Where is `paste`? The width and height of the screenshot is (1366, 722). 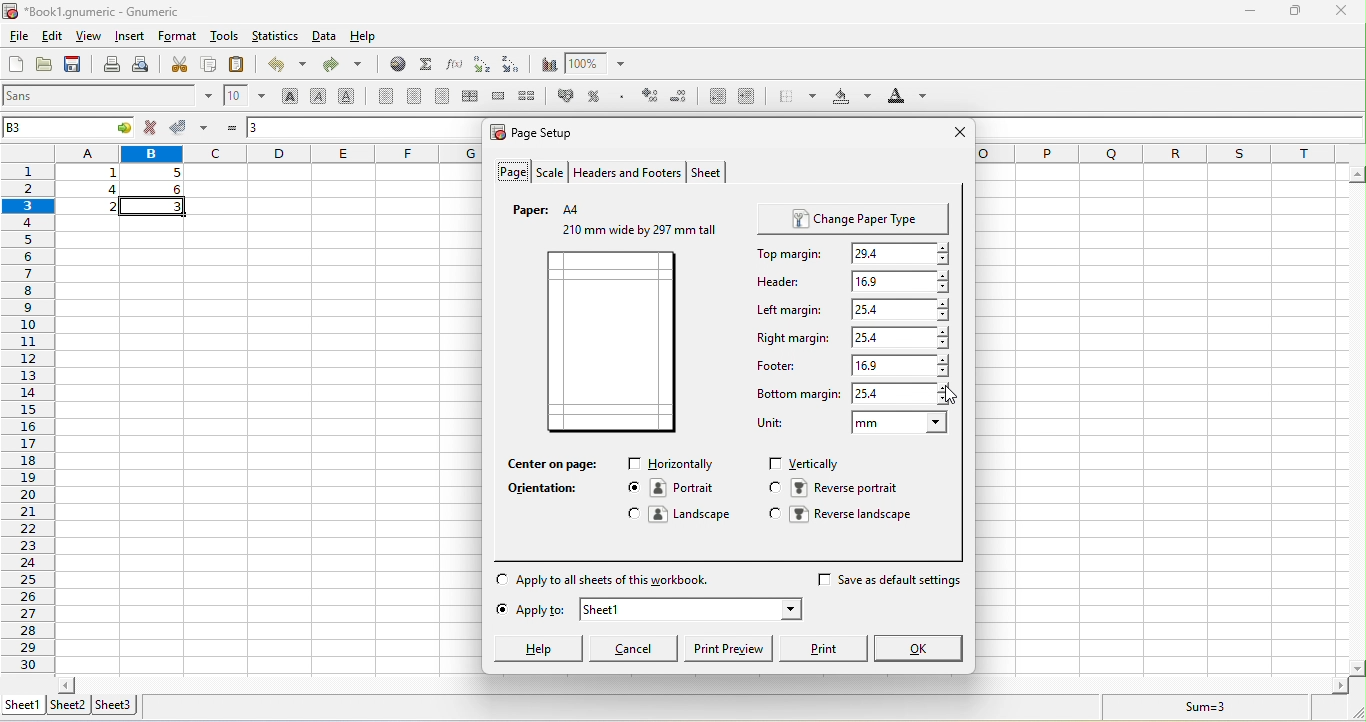
paste is located at coordinates (238, 65).